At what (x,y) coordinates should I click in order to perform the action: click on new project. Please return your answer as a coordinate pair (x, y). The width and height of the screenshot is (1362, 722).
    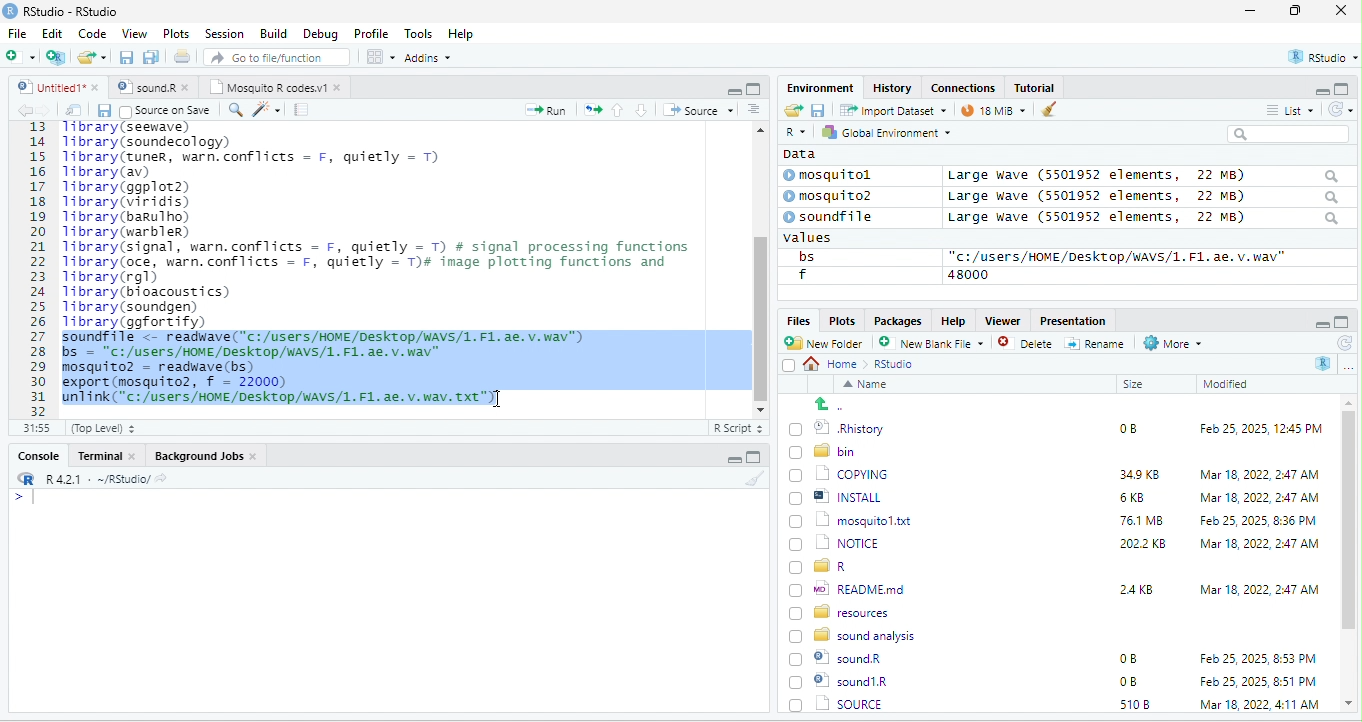
    Looking at the image, I should click on (57, 57).